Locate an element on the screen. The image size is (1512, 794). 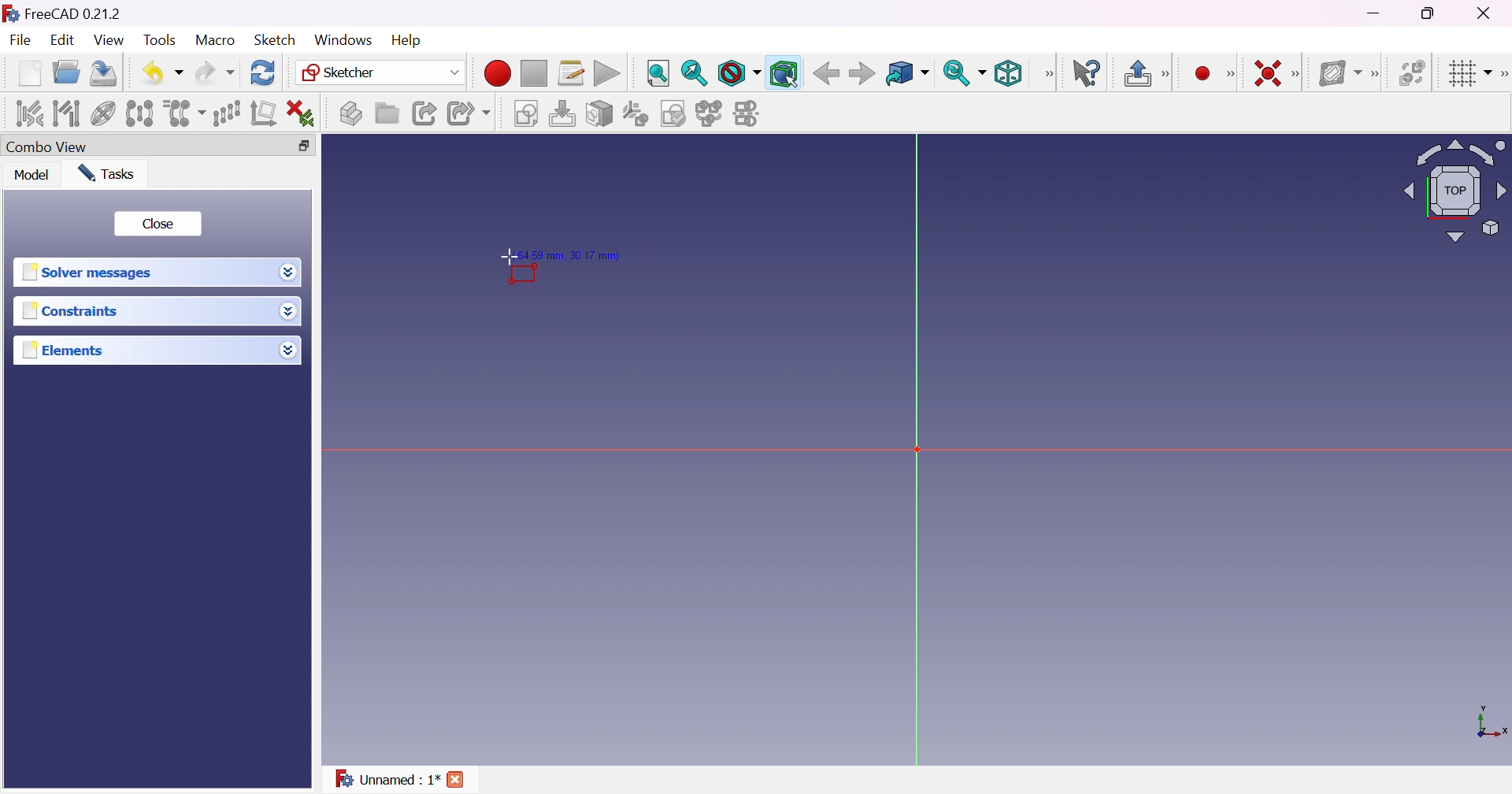
Combo view is located at coordinates (47, 147).